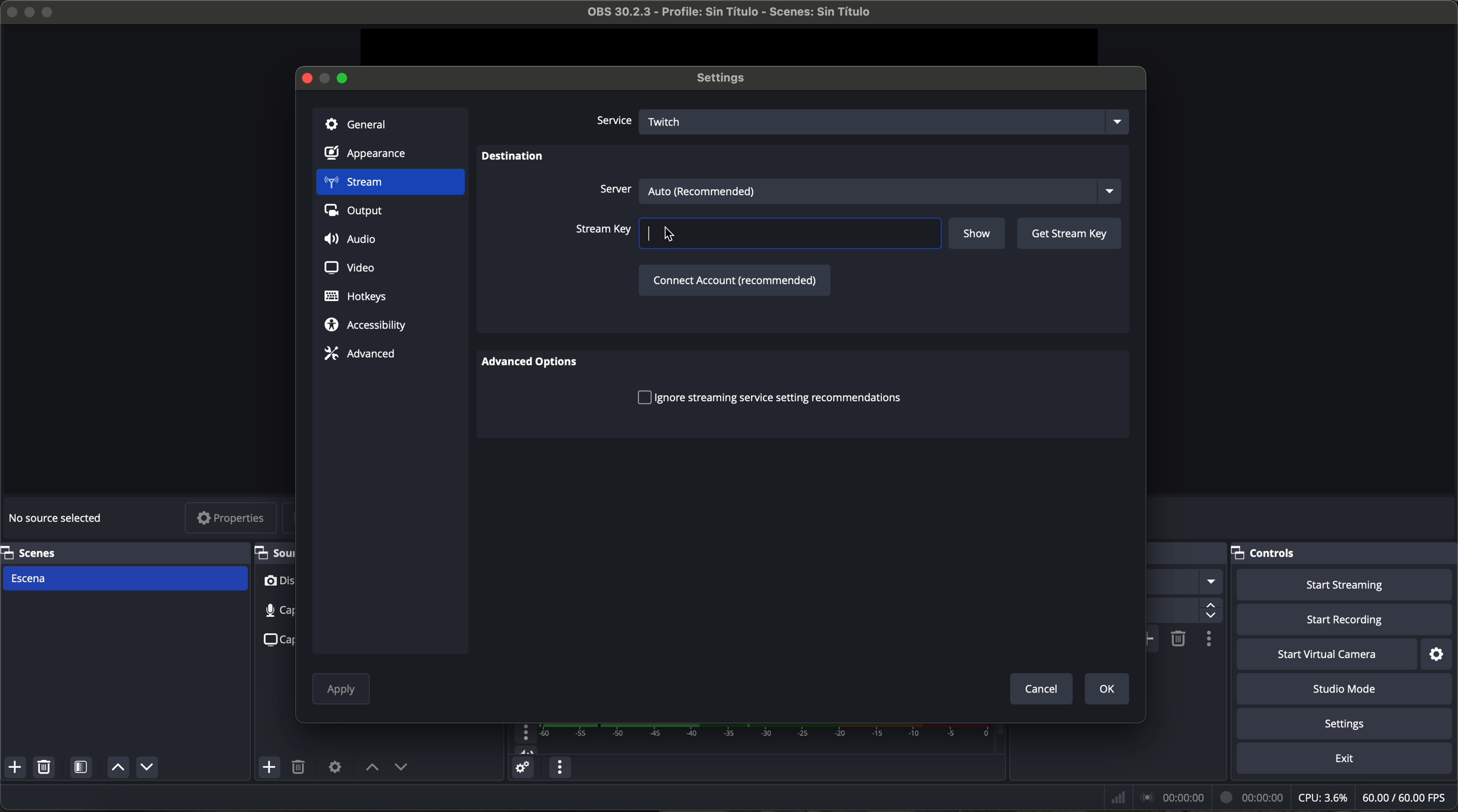 The height and width of the screenshot is (812, 1458). What do you see at coordinates (59, 516) in the screenshot?
I see `no source selected` at bounding box center [59, 516].